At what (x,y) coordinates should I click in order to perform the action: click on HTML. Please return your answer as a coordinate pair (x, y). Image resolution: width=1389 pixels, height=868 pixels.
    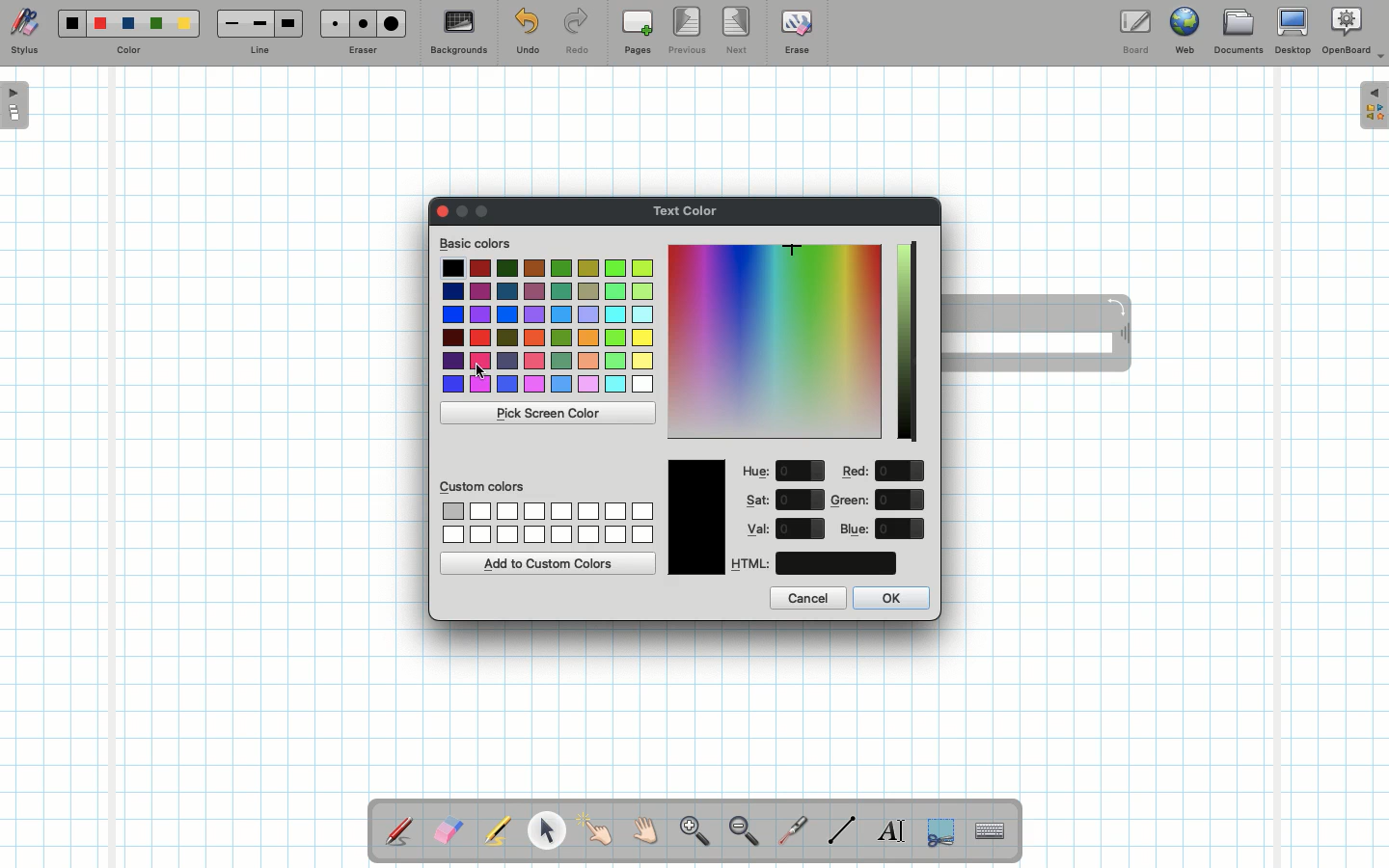
    Looking at the image, I should click on (751, 563).